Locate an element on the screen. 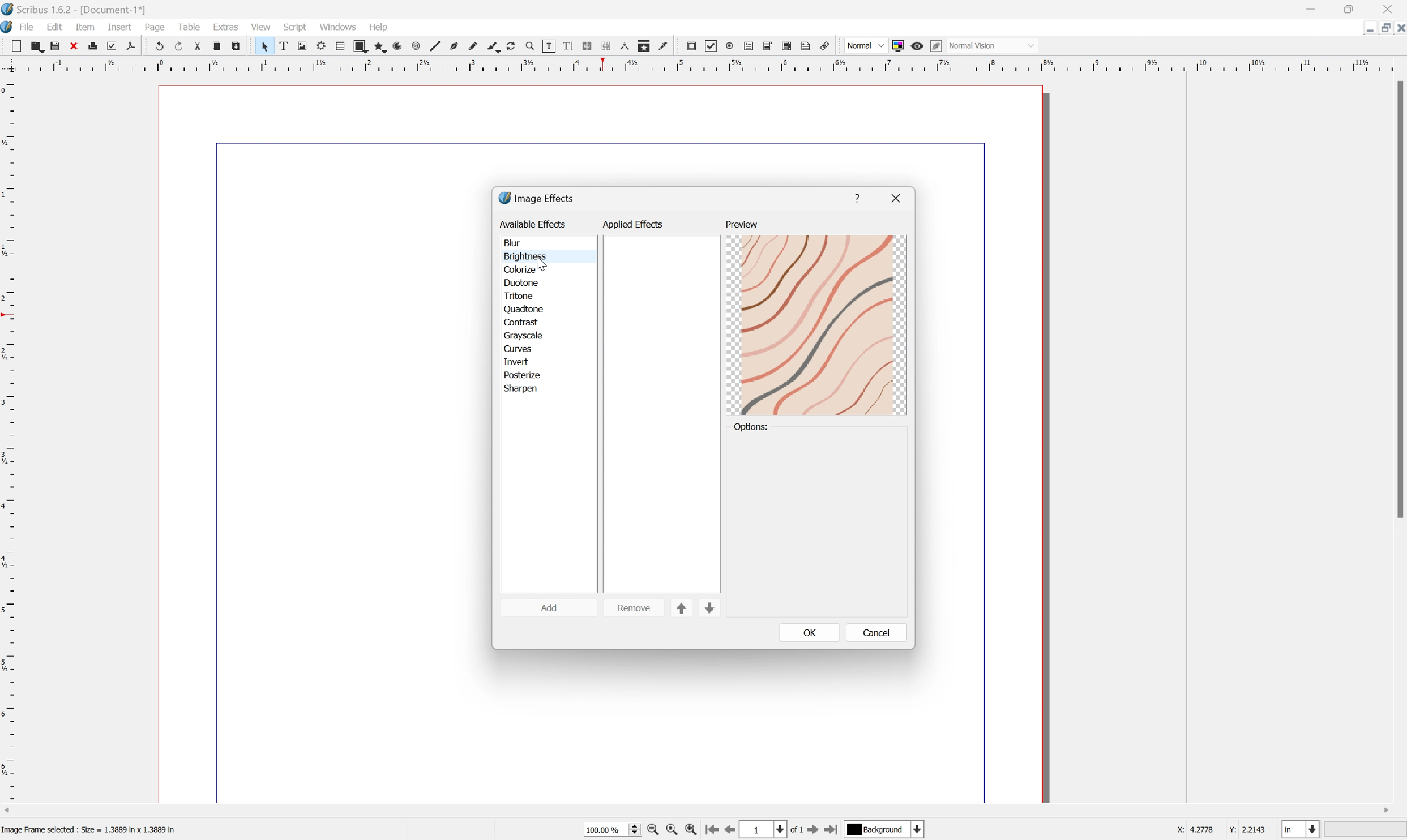 The image size is (1407, 840). preview is located at coordinates (816, 327).